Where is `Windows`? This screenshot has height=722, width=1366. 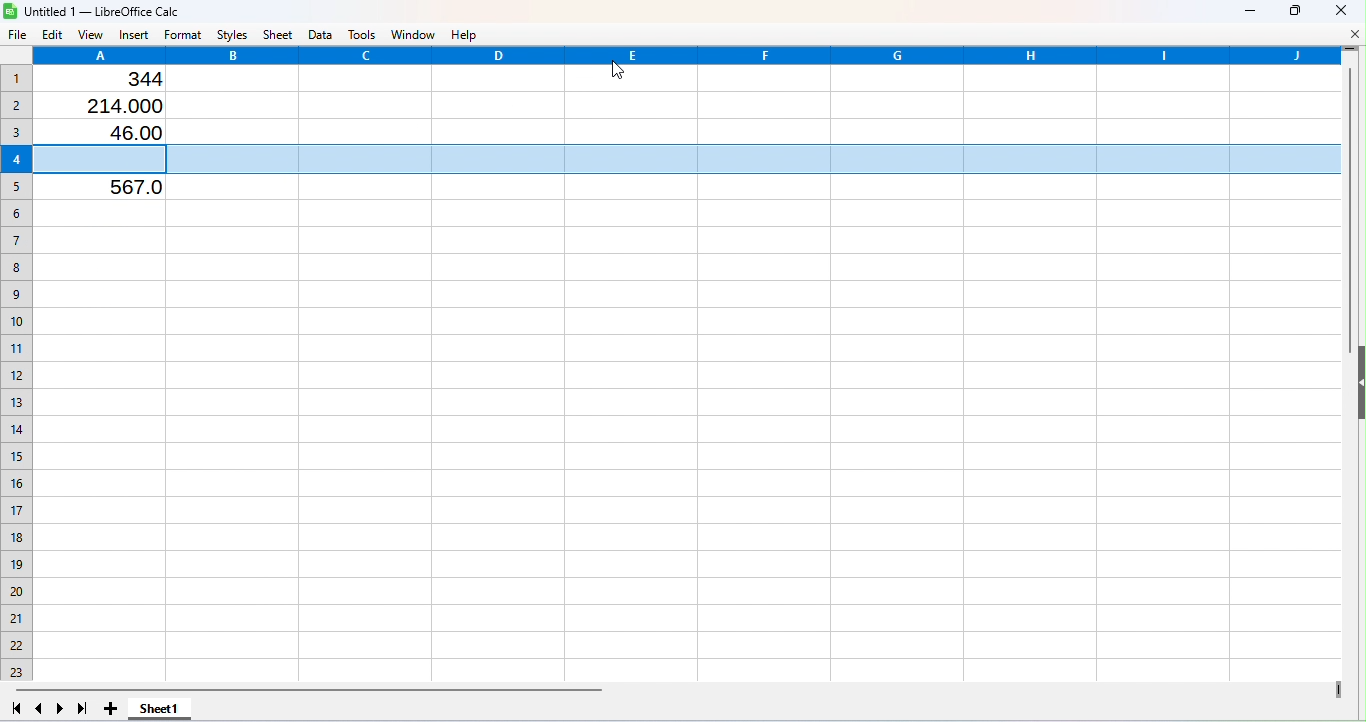 Windows is located at coordinates (414, 33).